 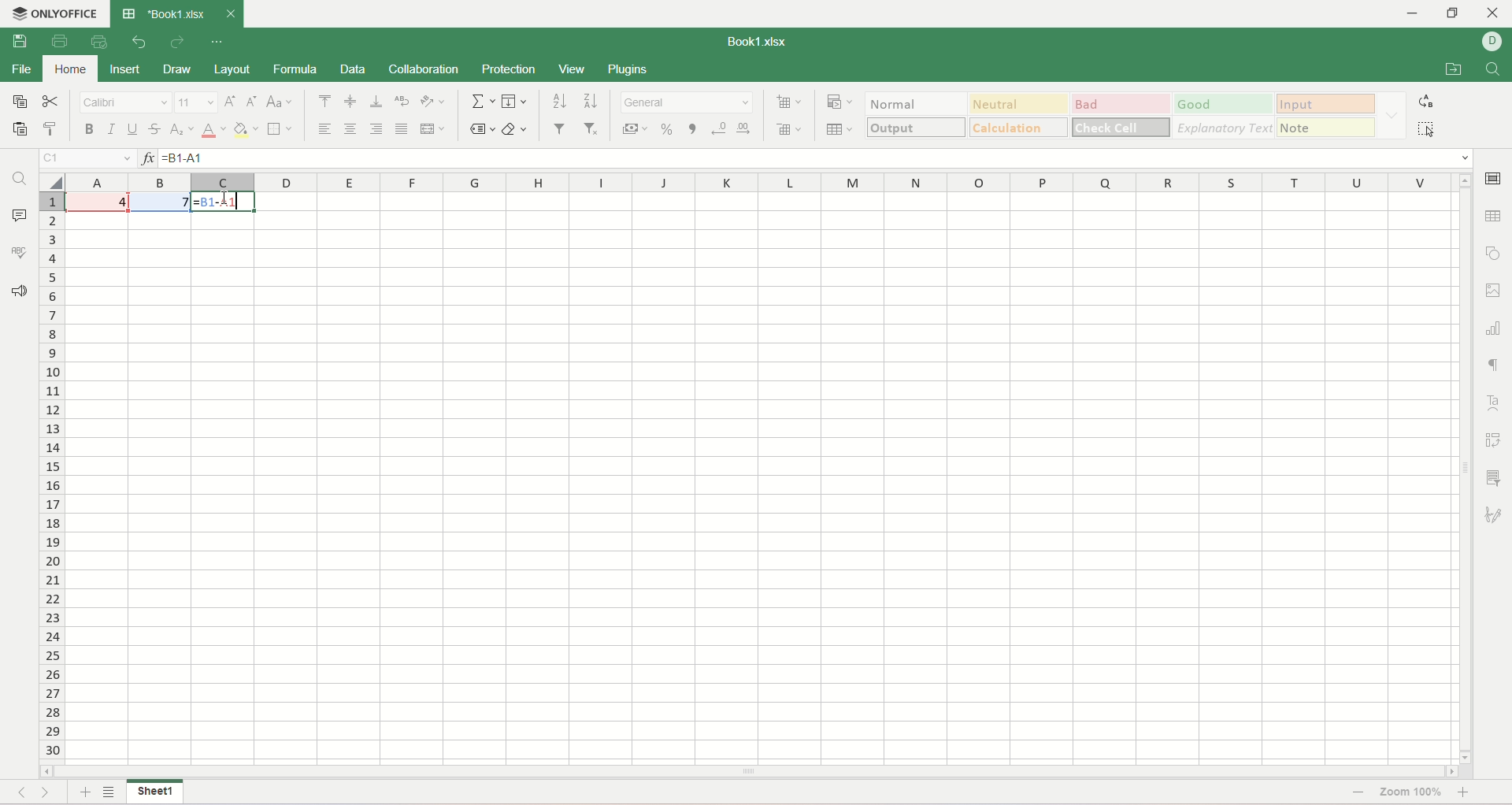 What do you see at coordinates (1494, 325) in the screenshot?
I see `chart settiings` at bounding box center [1494, 325].